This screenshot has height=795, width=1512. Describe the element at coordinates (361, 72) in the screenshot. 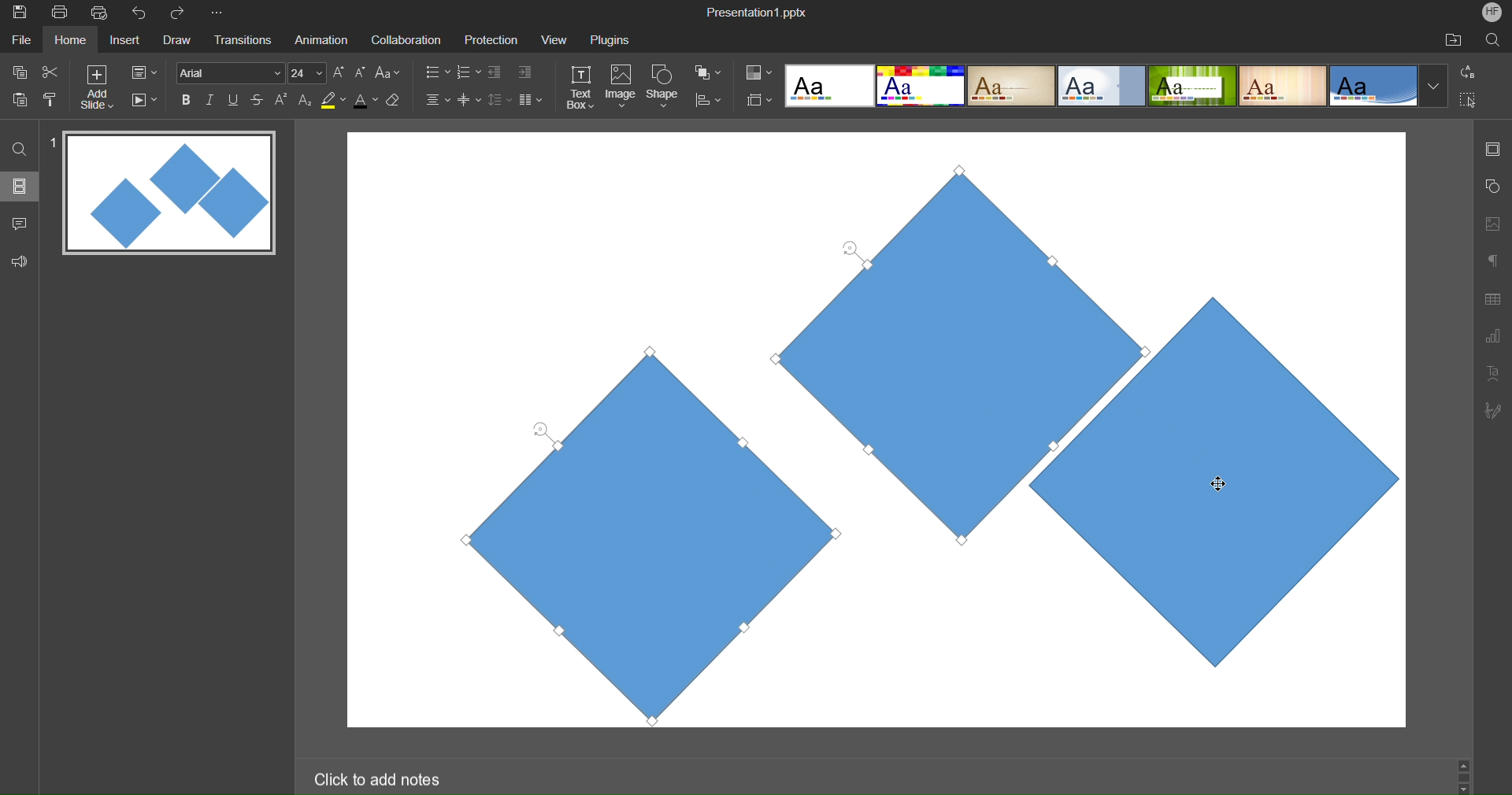

I see `Decrease Font` at that location.